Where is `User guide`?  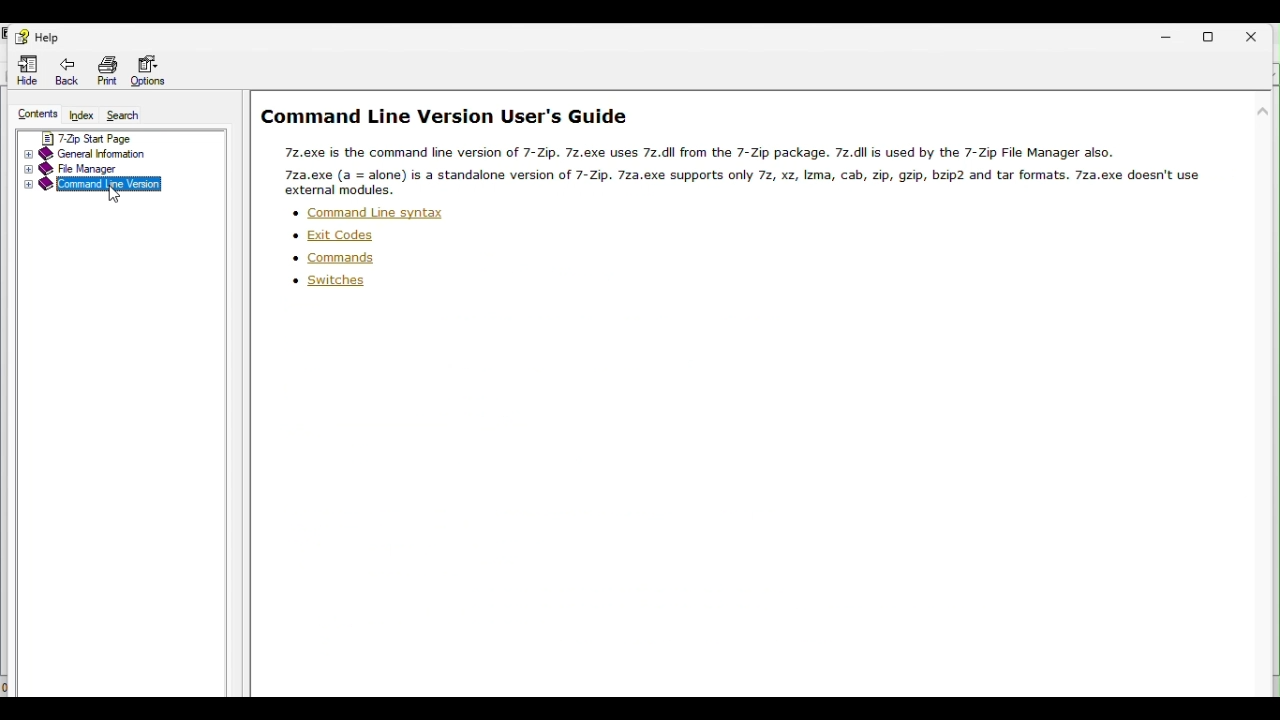
User guide is located at coordinates (763, 145).